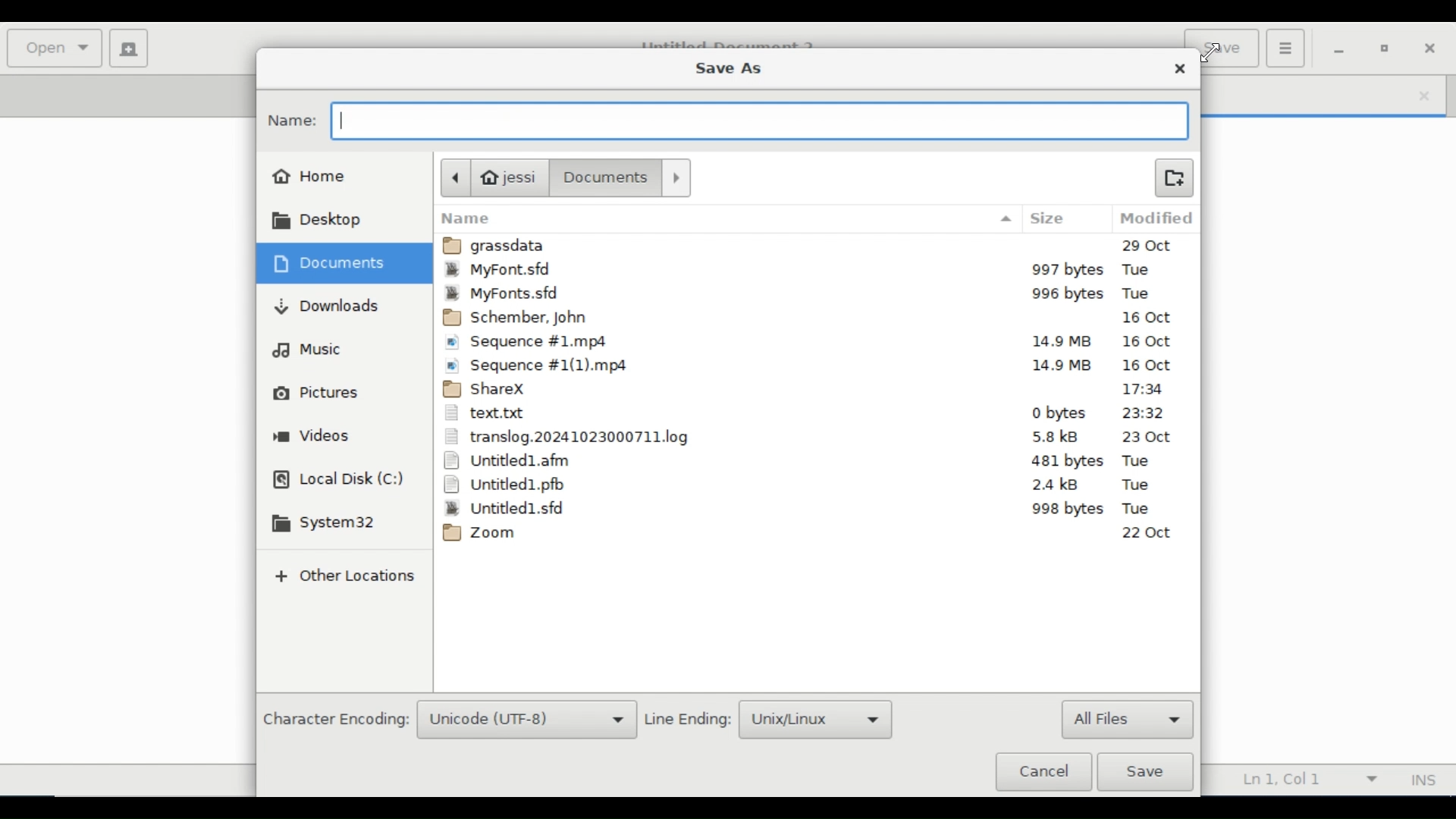 Image resolution: width=1456 pixels, height=819 pixels. Describe the element at coordinates (813, 390) in the screenshot. I see `ShareX 17:34` at that location.